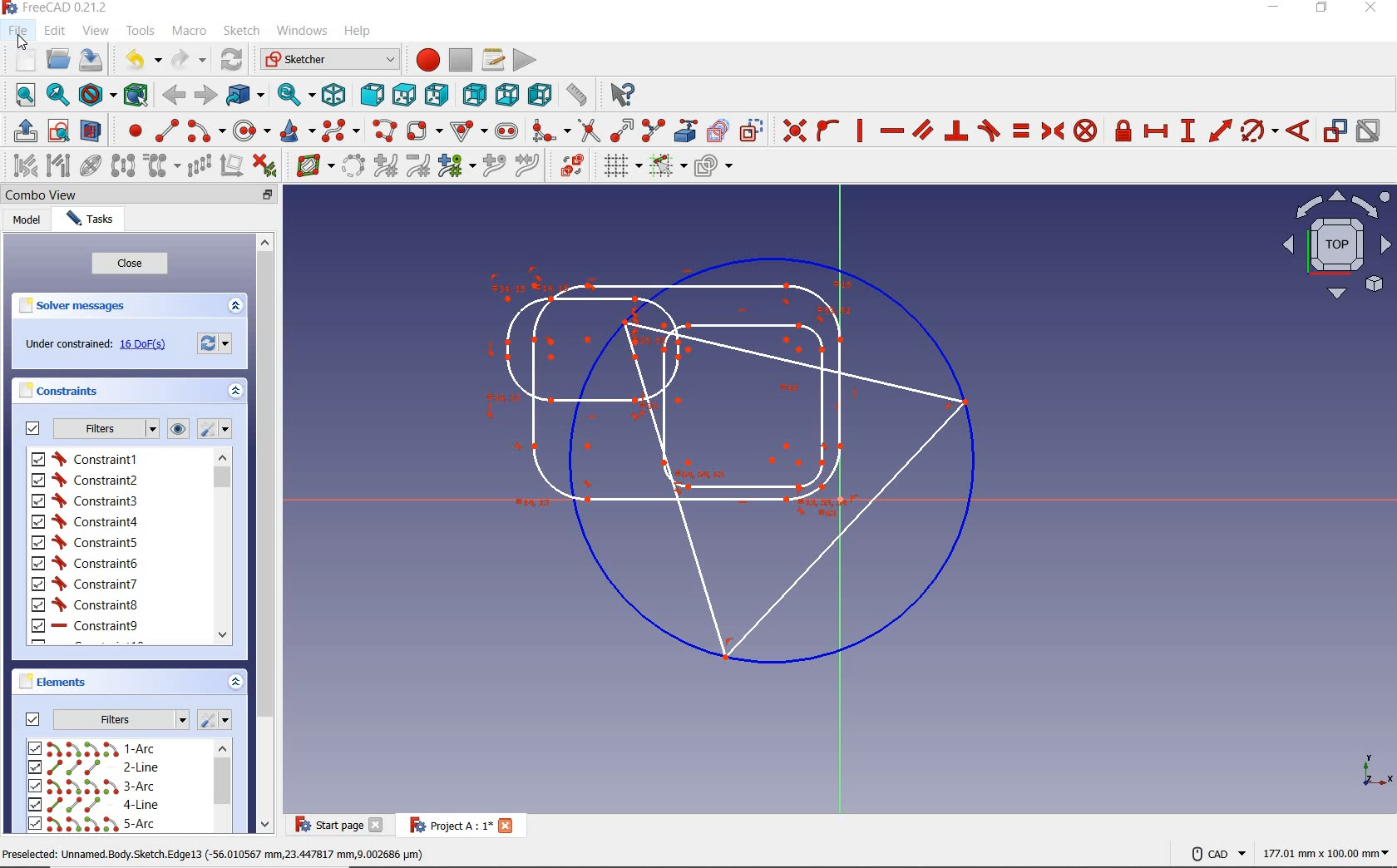  Describe the element at coordinates (96, 767) in the screenshot. I see `2-line` at that location.